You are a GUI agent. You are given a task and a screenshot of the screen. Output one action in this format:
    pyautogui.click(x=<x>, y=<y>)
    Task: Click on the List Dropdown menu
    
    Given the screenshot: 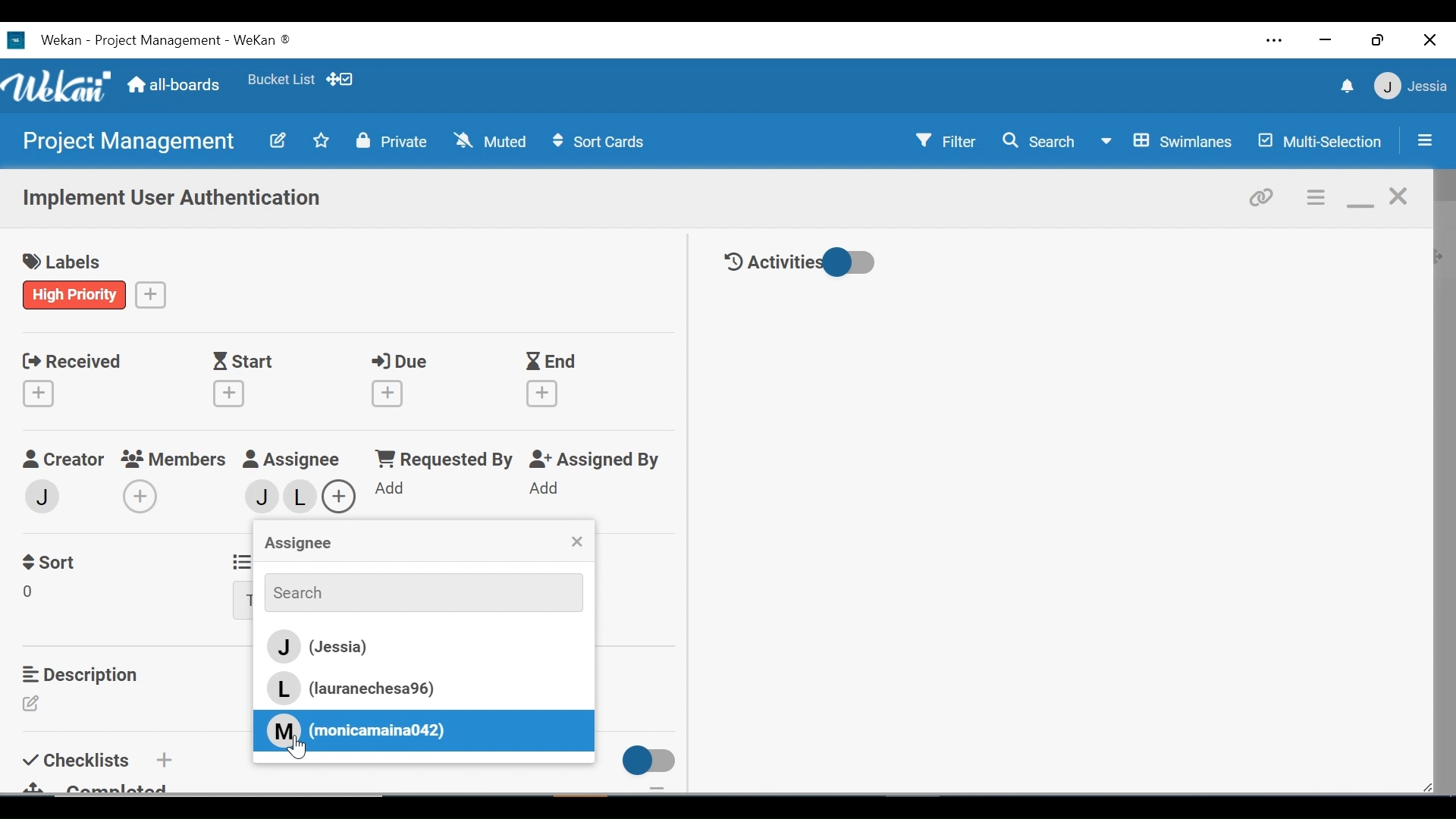 What is the action you would take?
    pyautogui.click(x=243, y=601)
    